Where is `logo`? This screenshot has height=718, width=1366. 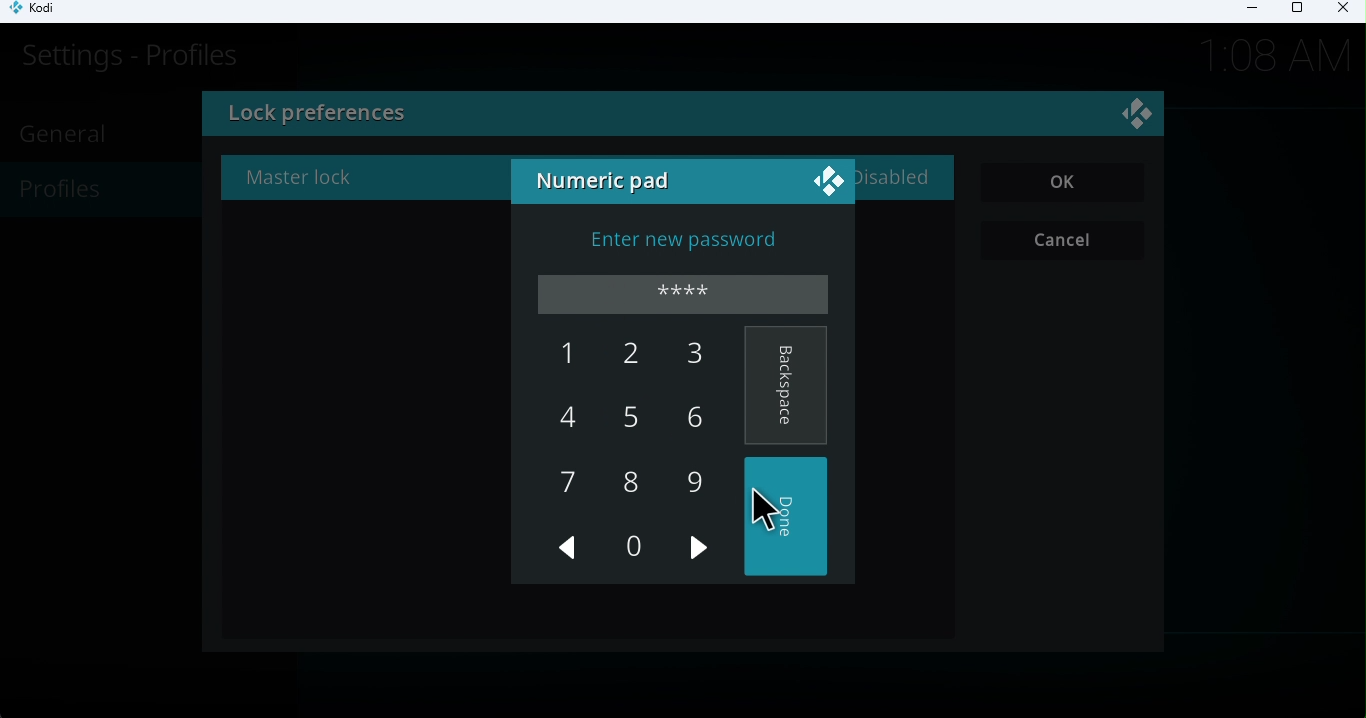 logo is located at coordinates (1140, 117).